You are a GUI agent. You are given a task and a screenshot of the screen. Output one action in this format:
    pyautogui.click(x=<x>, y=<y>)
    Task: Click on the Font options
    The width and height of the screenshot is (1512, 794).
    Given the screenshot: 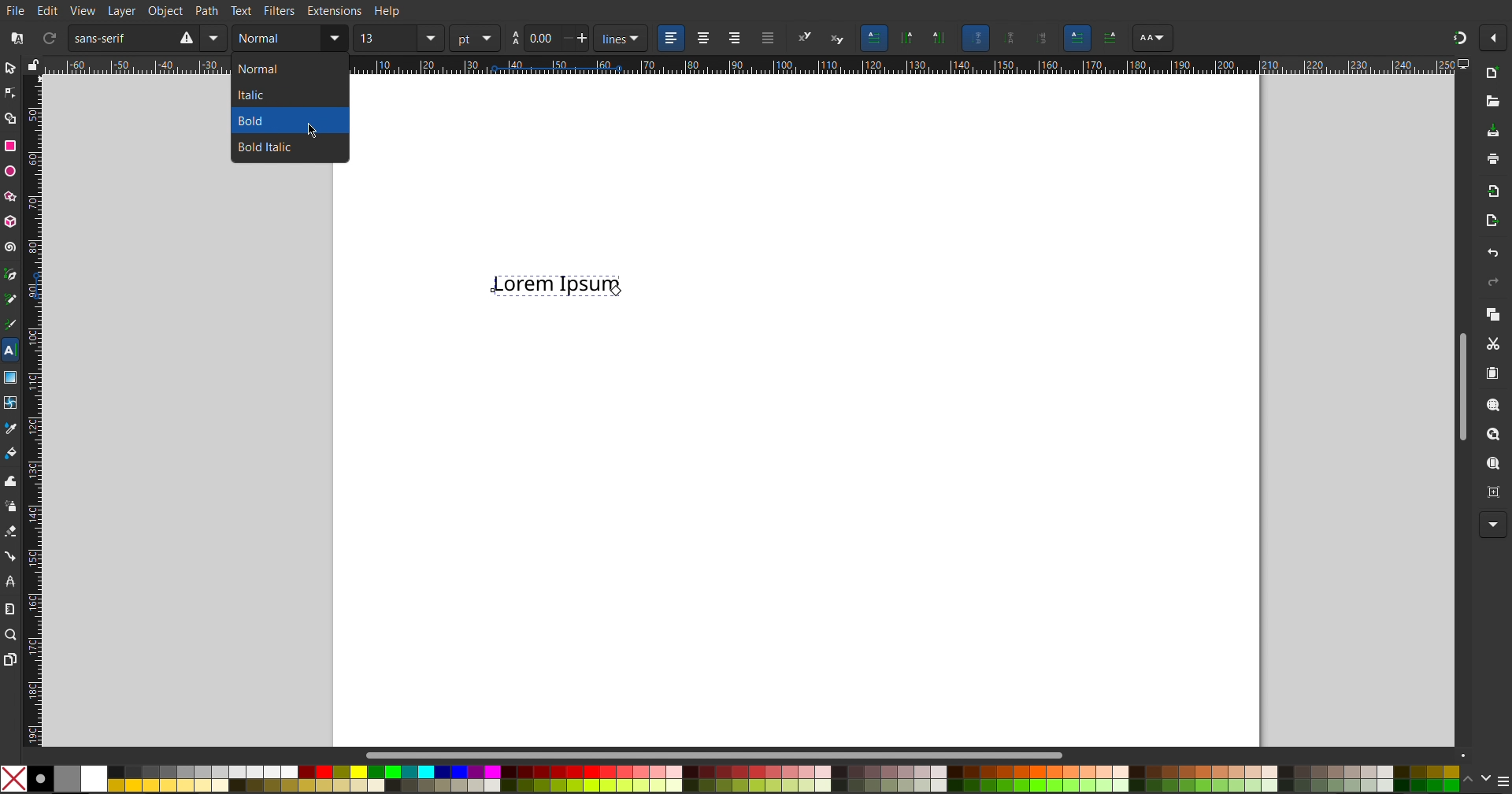 What is the action you would take?
    pyautogui.click(x=1152, y=39)
    